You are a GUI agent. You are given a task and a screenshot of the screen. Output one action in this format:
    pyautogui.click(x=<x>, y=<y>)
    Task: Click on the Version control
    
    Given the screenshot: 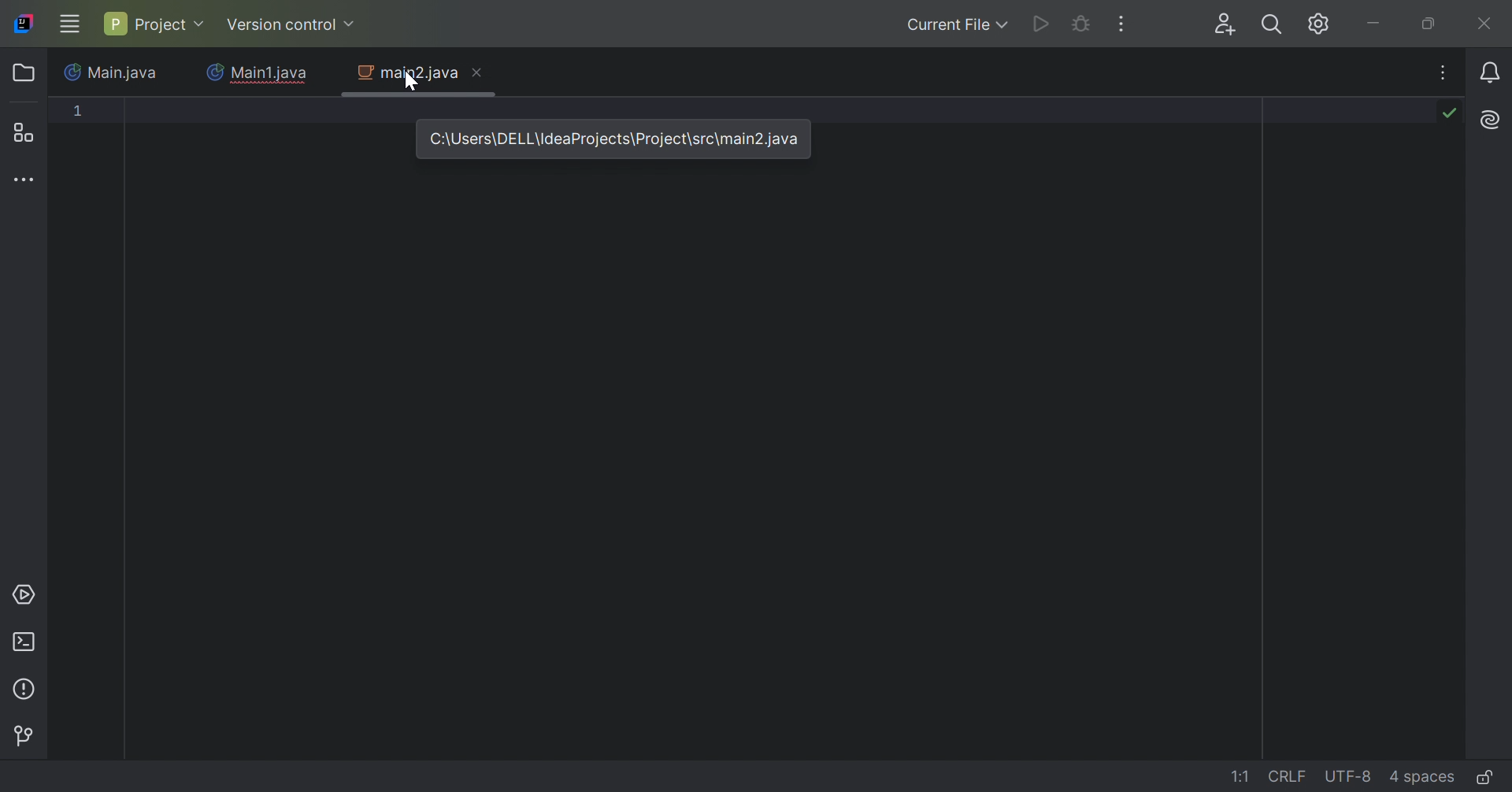 What is the action you would take?
    pyautogui.click(x=291, y=25)
    